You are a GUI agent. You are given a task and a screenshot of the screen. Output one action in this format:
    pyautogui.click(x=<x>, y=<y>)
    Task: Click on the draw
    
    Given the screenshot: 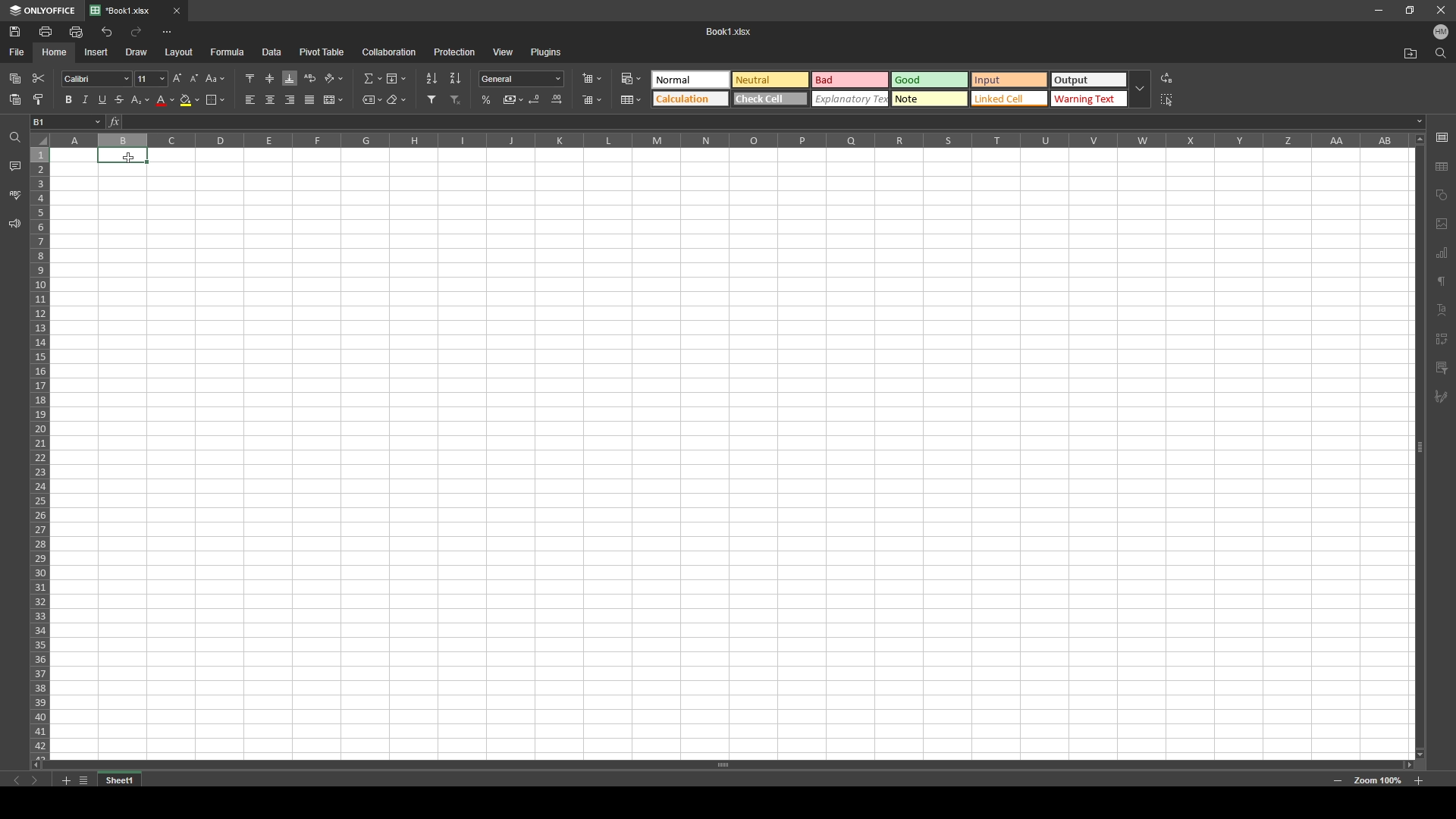 What is the action you would take?
    pyautogui.click(x=137, y=52)
    